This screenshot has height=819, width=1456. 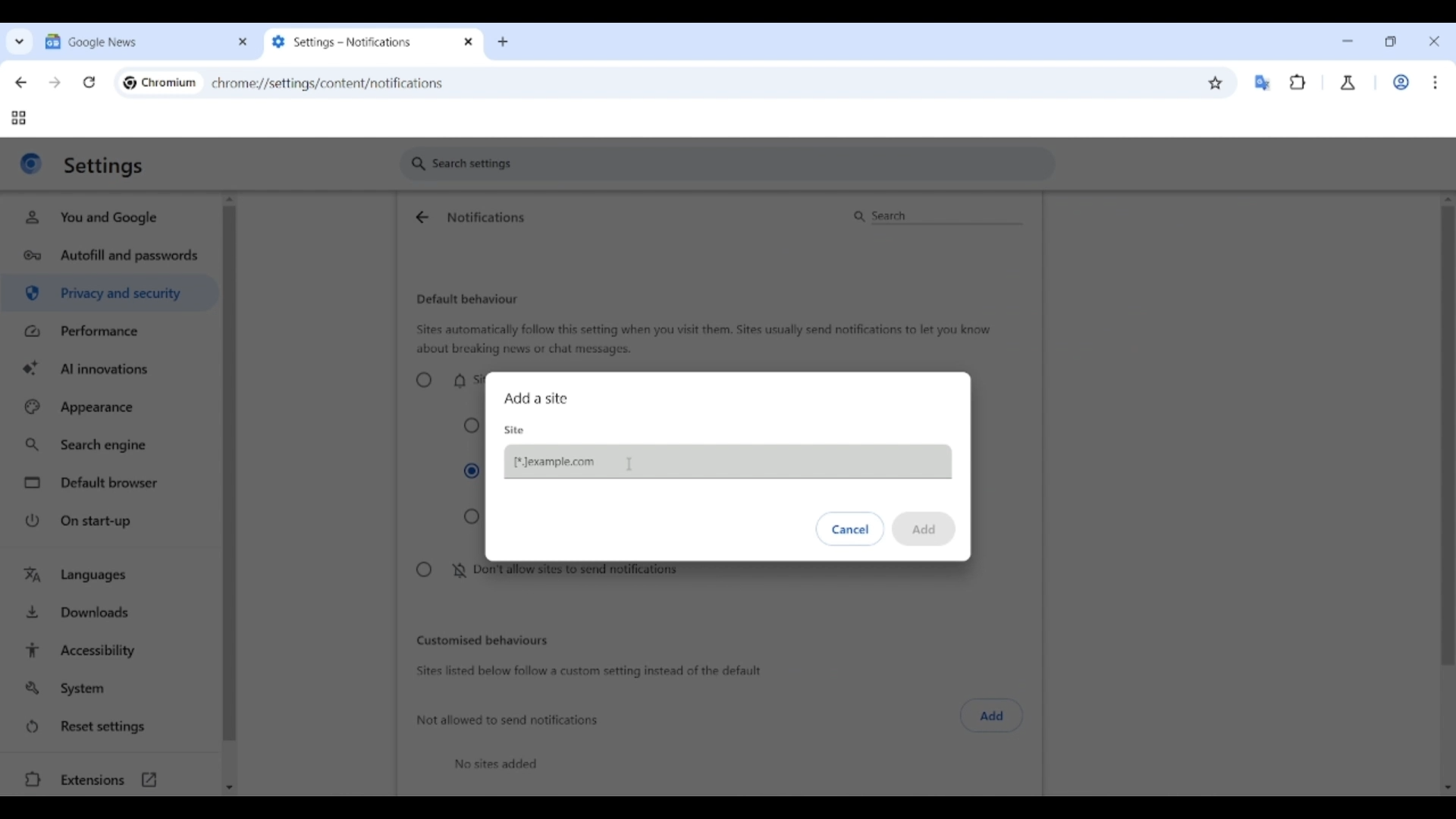 I want to click on Vertical slide bar, so click(x=1448, y=361).